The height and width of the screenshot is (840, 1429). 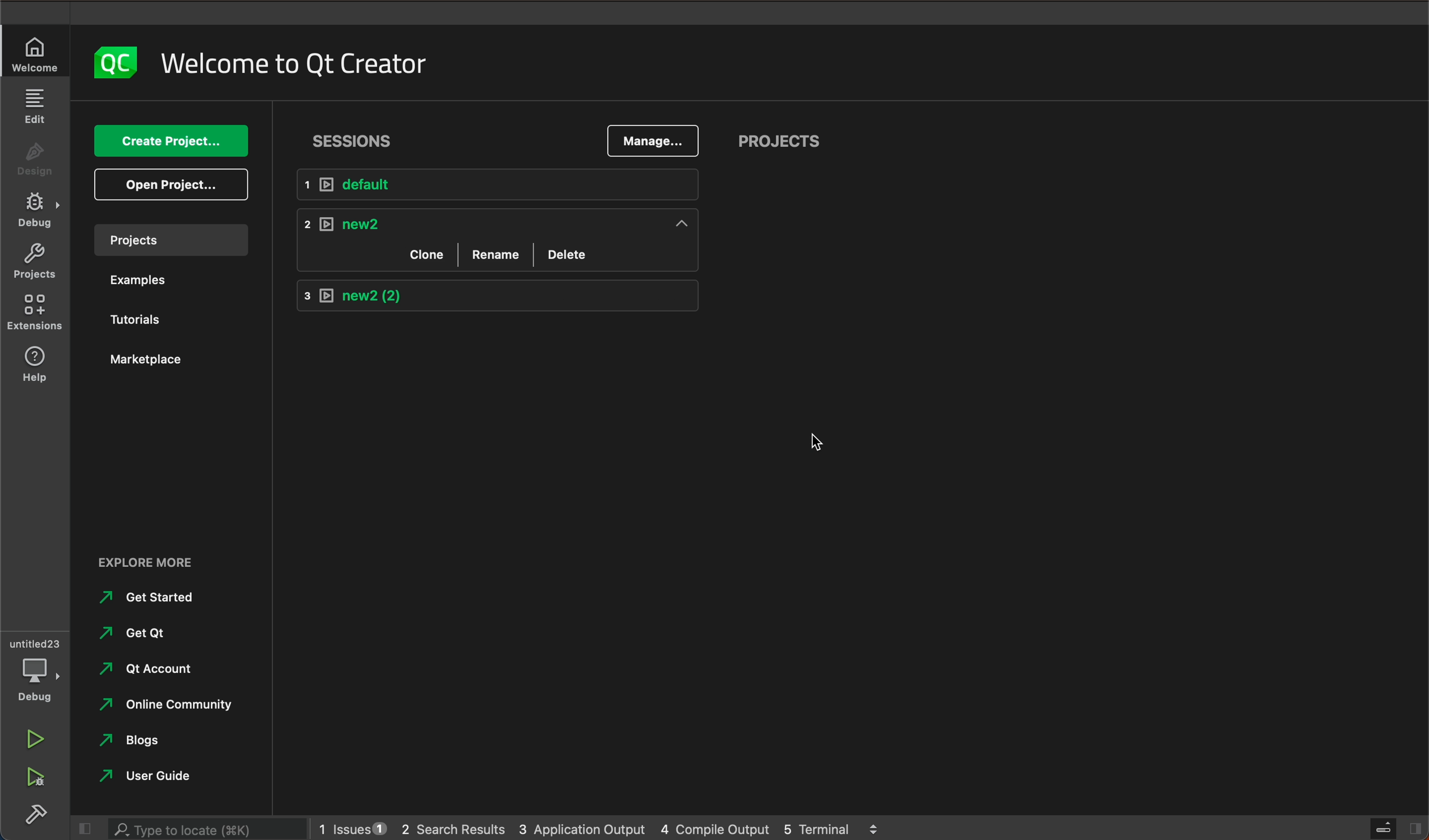 I want to click on run, so click(x=35, y=739).